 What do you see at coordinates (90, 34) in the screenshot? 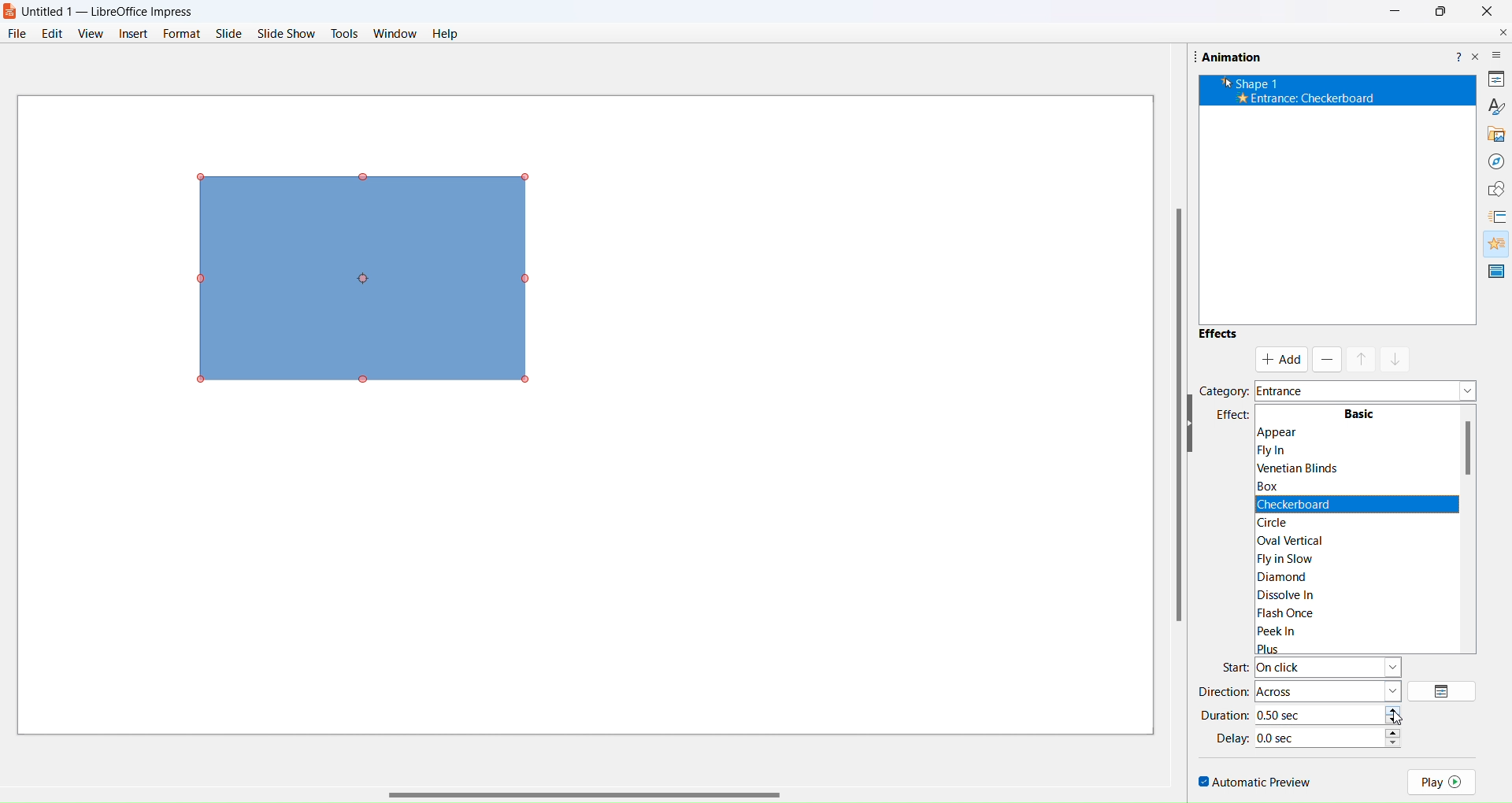
I see `view` at bounding box center [90, 34].